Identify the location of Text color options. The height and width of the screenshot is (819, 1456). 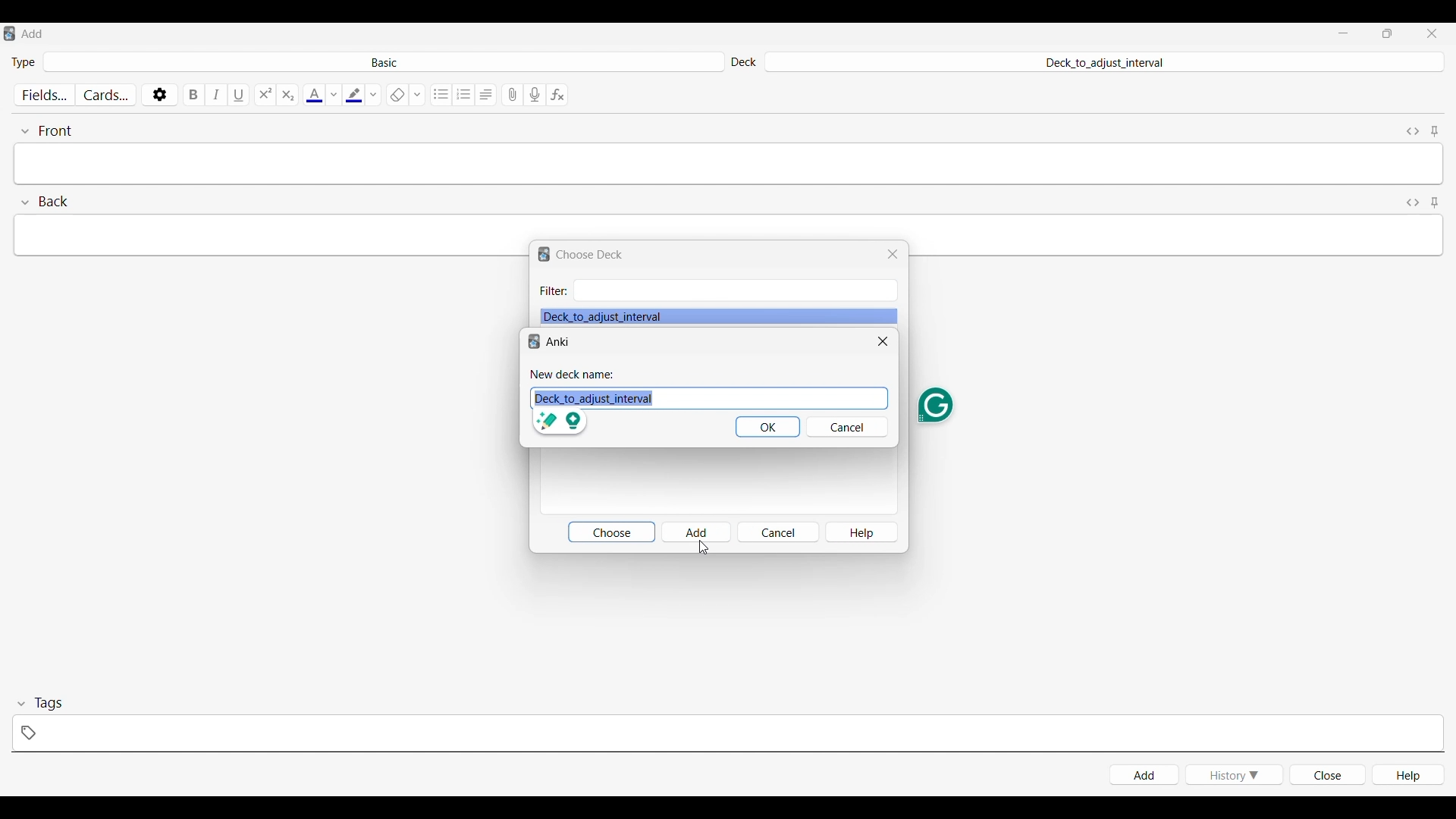
(333, 95).